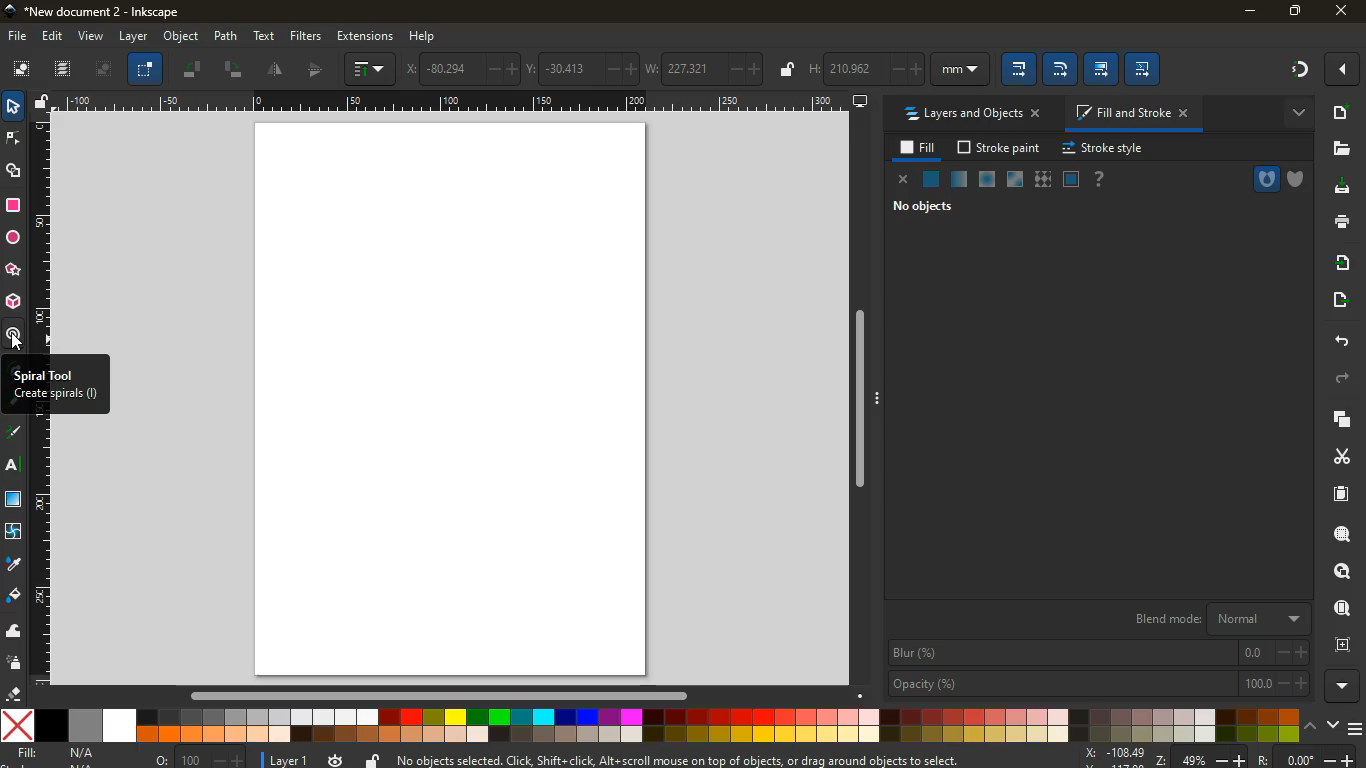 This screenshot has width=1366, height=768. I want to click on tilt, so click(233, 70).